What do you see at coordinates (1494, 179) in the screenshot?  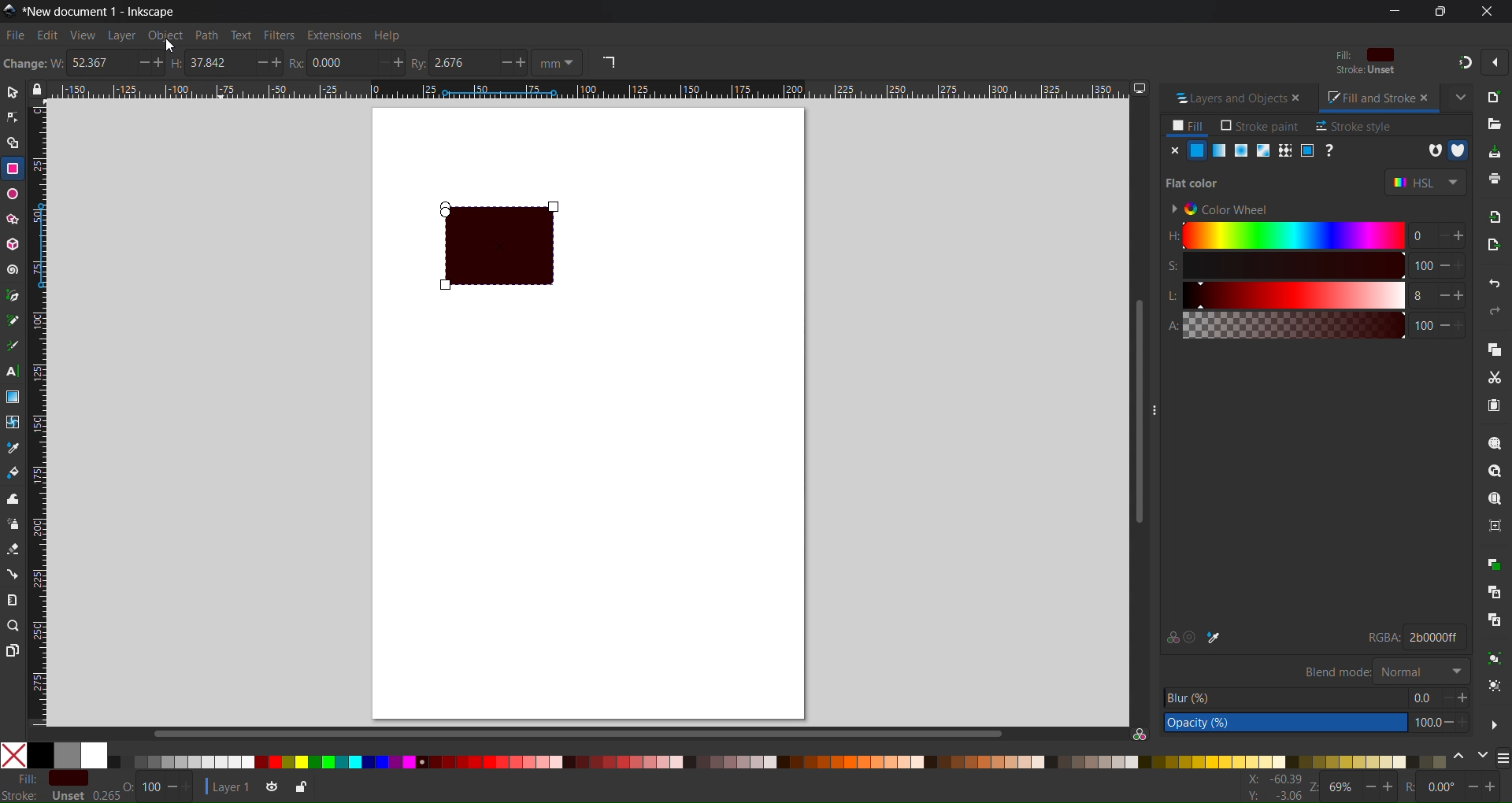 I see `Print` at bounding box center [1494, 179].